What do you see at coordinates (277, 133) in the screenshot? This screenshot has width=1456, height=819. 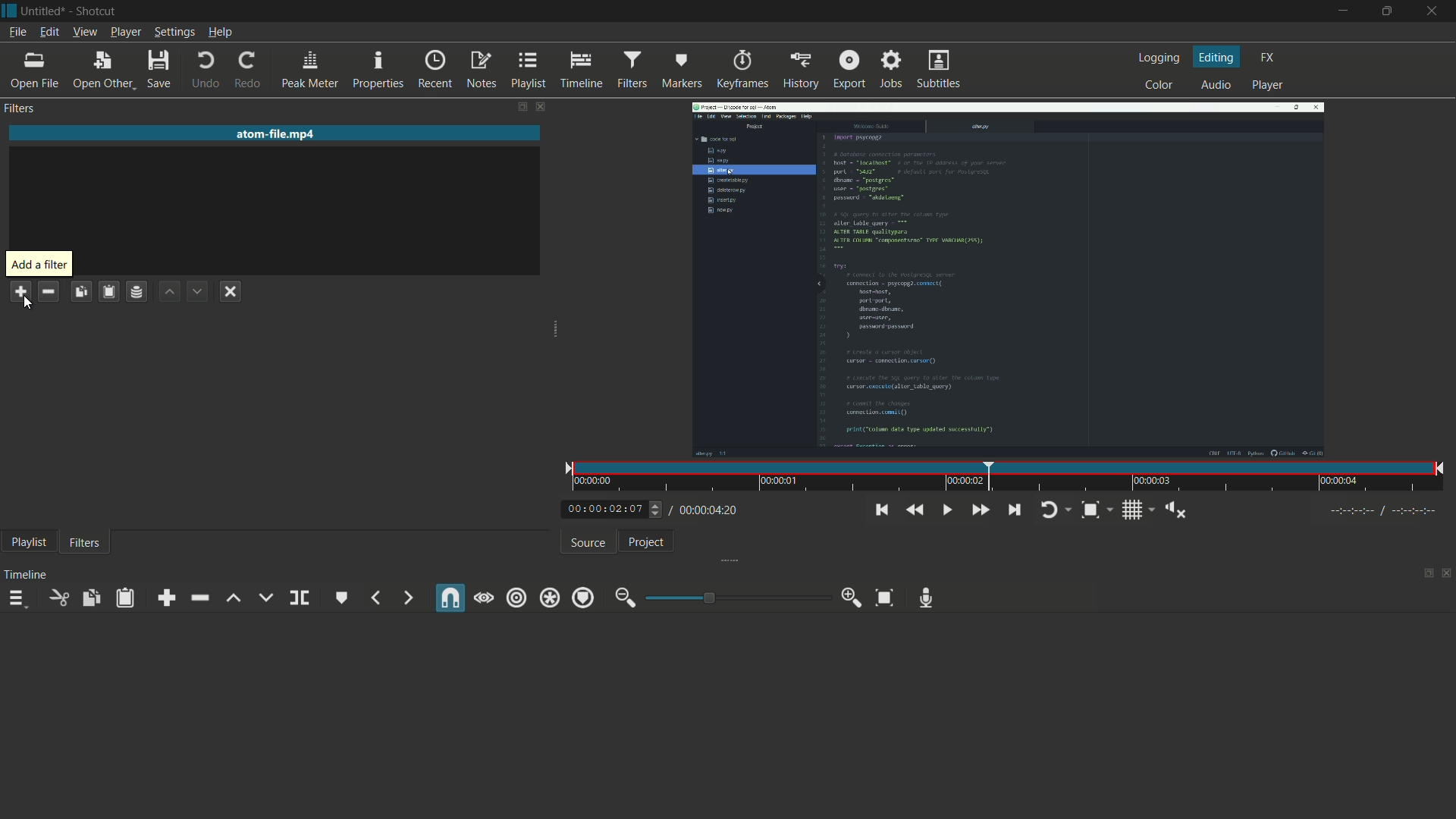 I see `file name` at bounding box center [277, 133].